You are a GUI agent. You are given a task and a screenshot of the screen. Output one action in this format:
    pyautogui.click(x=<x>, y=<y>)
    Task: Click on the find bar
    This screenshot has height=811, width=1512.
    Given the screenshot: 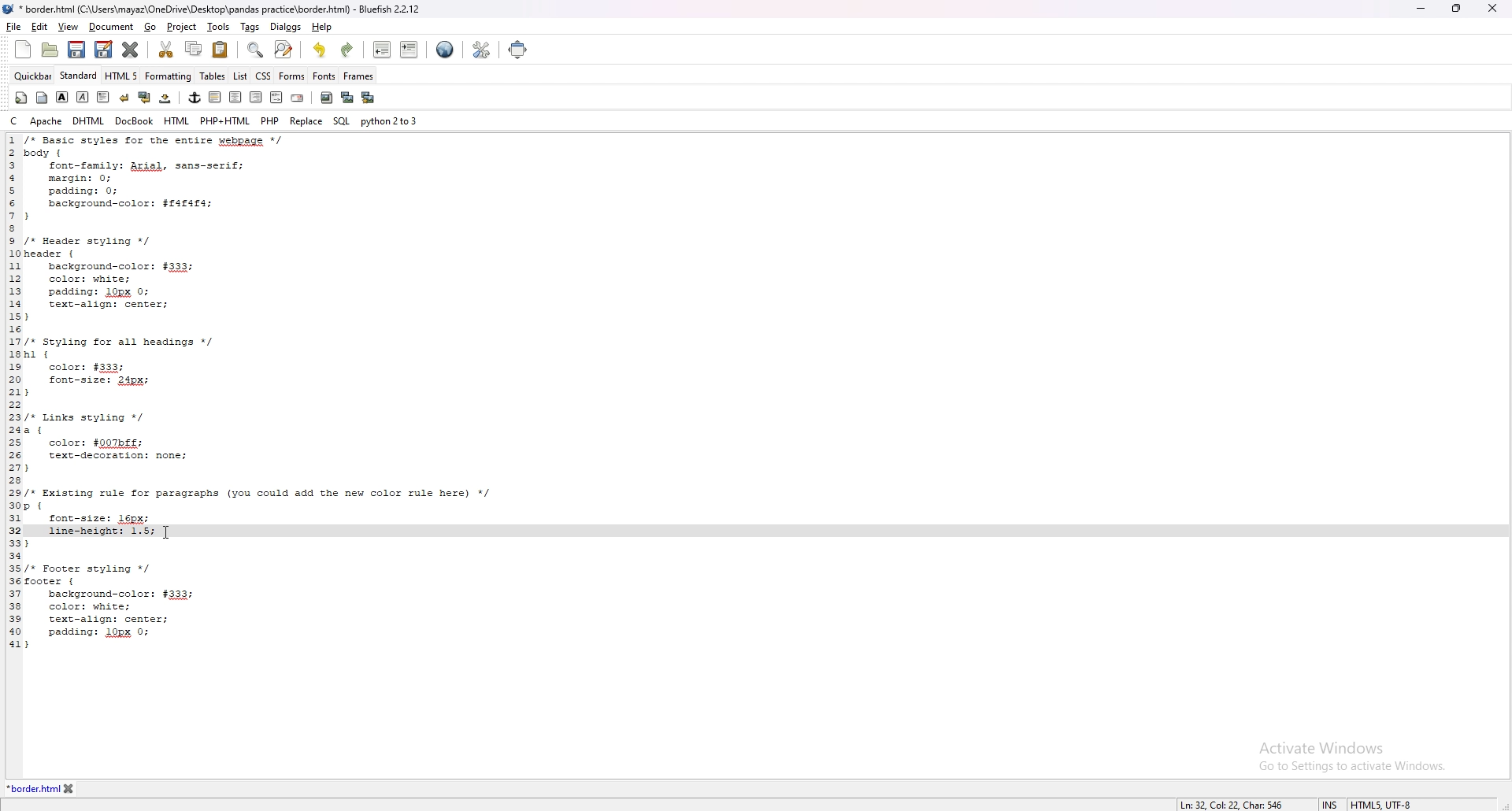 What is the action you would take?
    pyautogui.click(x=256, y=50)
    